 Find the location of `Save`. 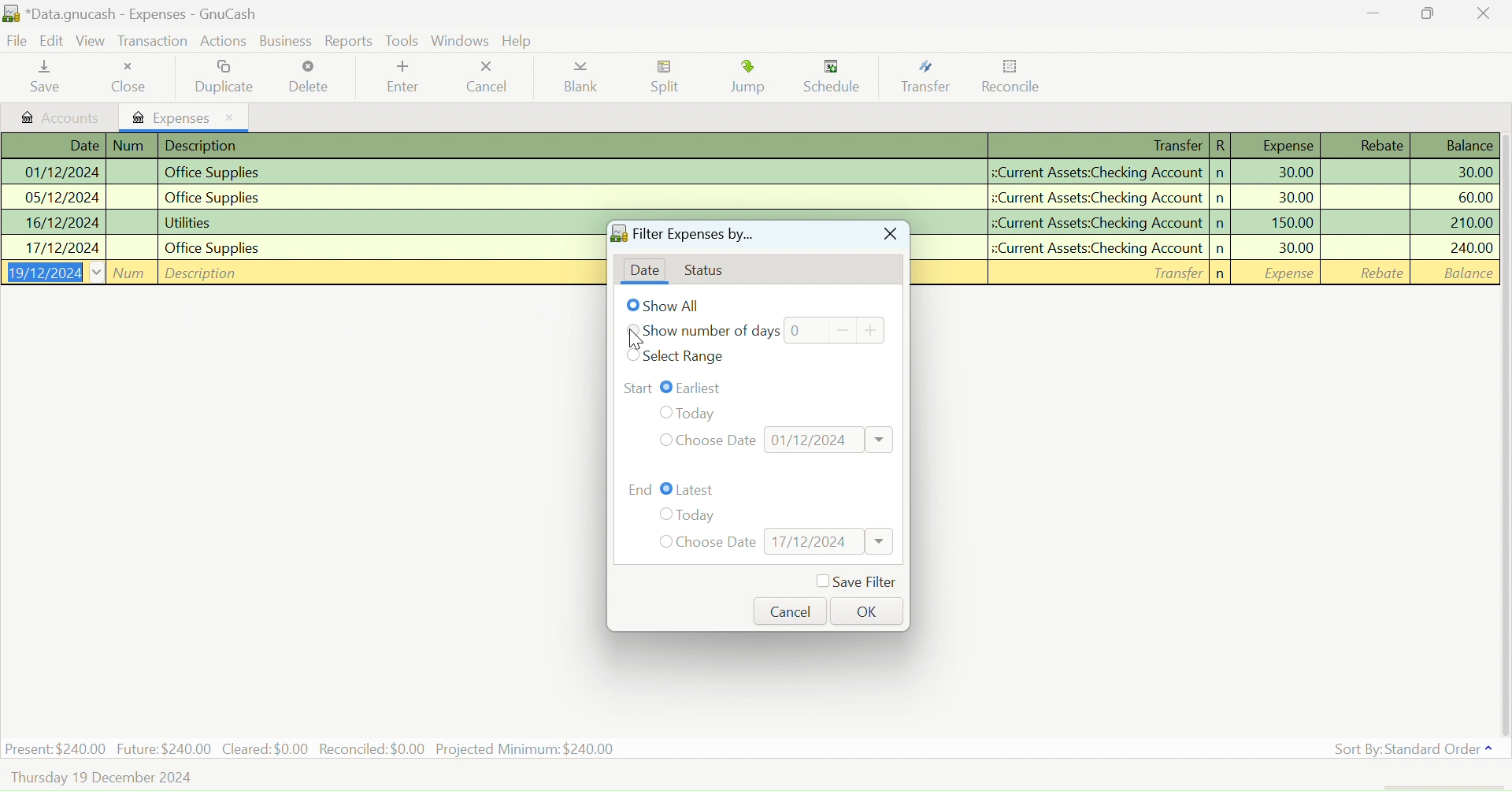

Save is located at coordinates (43, 78).